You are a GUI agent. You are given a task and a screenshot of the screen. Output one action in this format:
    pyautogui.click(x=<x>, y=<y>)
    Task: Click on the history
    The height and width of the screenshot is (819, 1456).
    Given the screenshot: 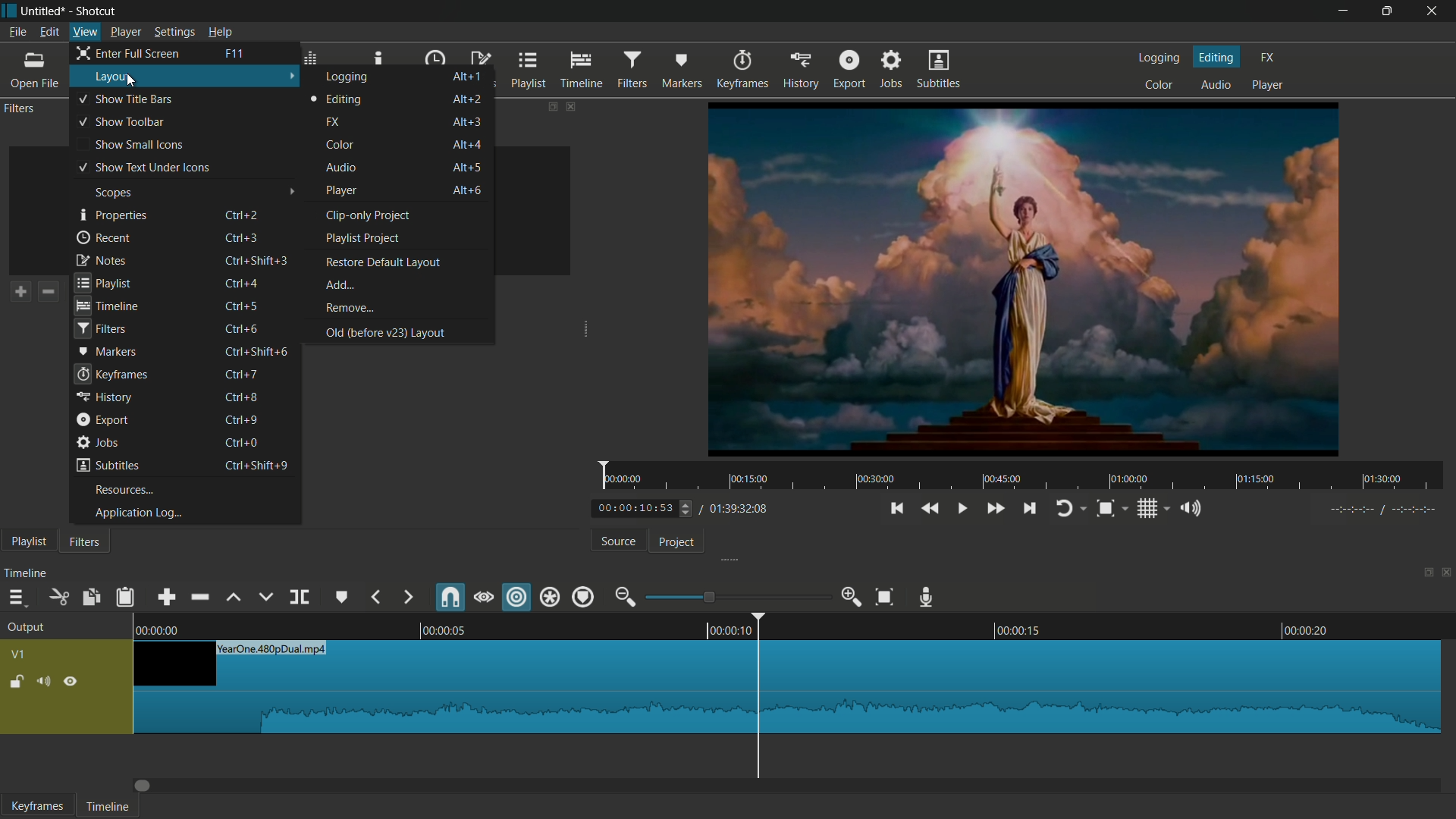 What is the action you would take?
    pyautogui.click(x=104, y=398)
    